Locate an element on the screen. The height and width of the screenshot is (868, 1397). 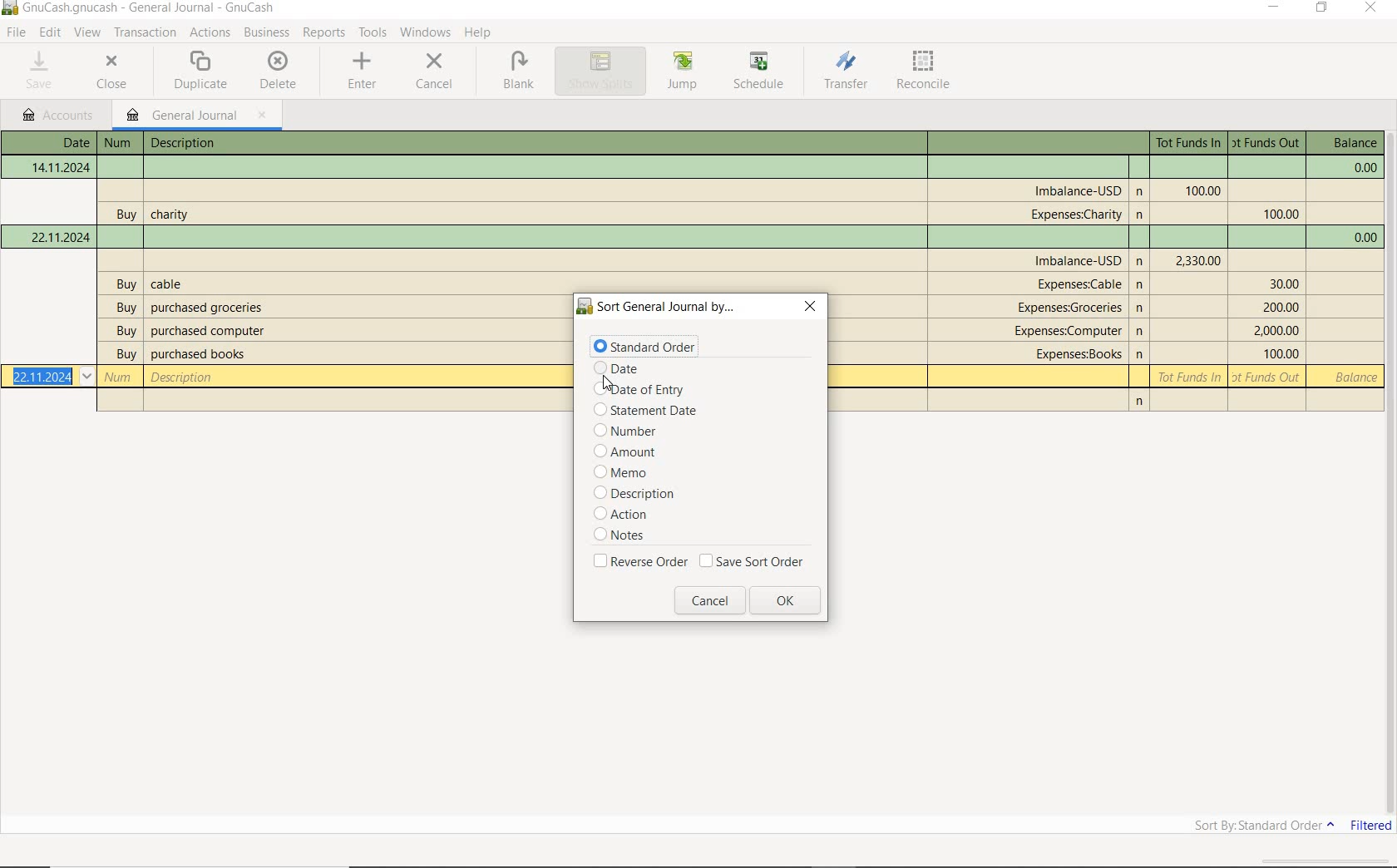
n is located at coordinates (1143, 287).